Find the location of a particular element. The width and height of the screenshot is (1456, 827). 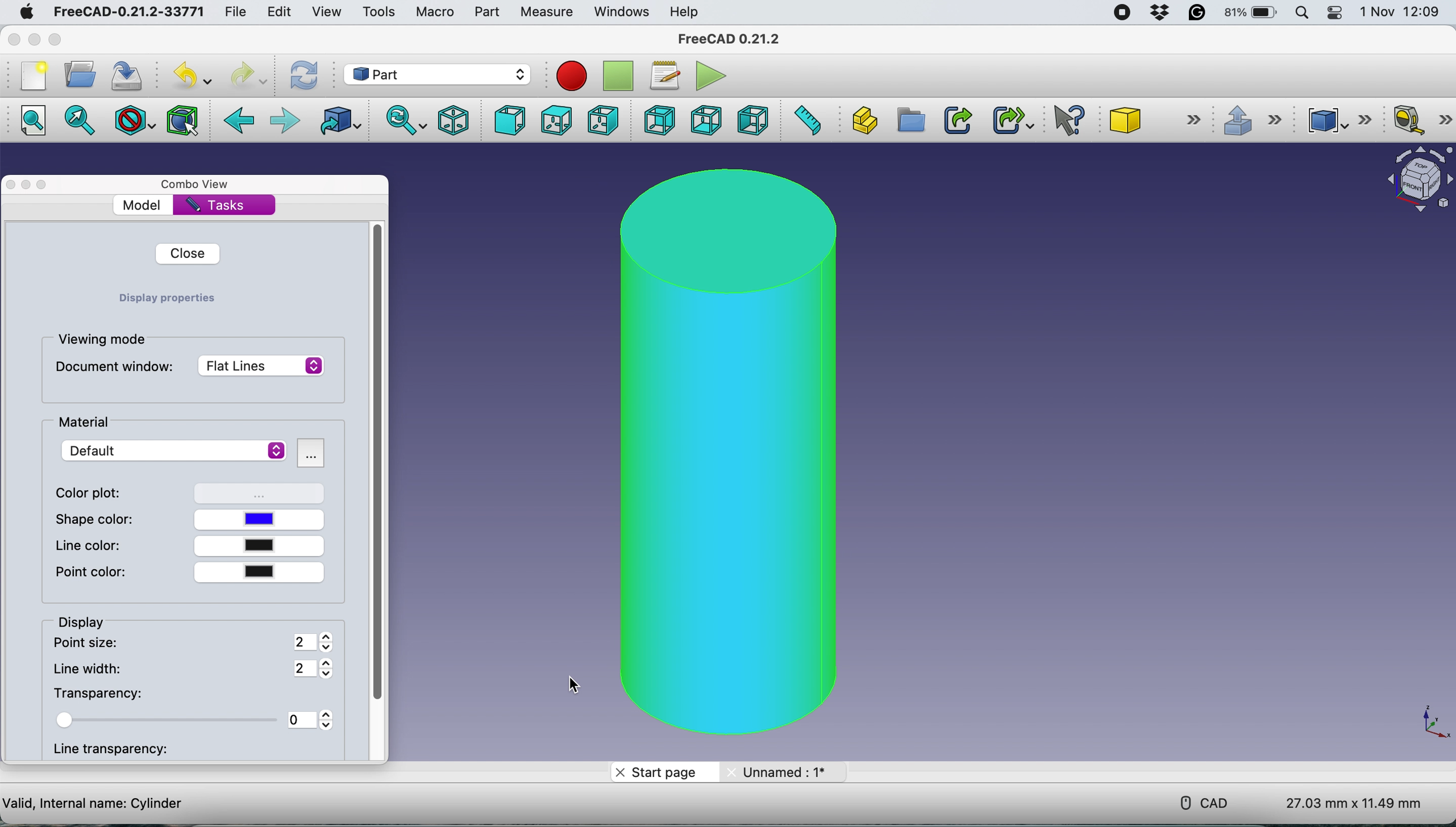

edit is located at coordinates (282, 13).